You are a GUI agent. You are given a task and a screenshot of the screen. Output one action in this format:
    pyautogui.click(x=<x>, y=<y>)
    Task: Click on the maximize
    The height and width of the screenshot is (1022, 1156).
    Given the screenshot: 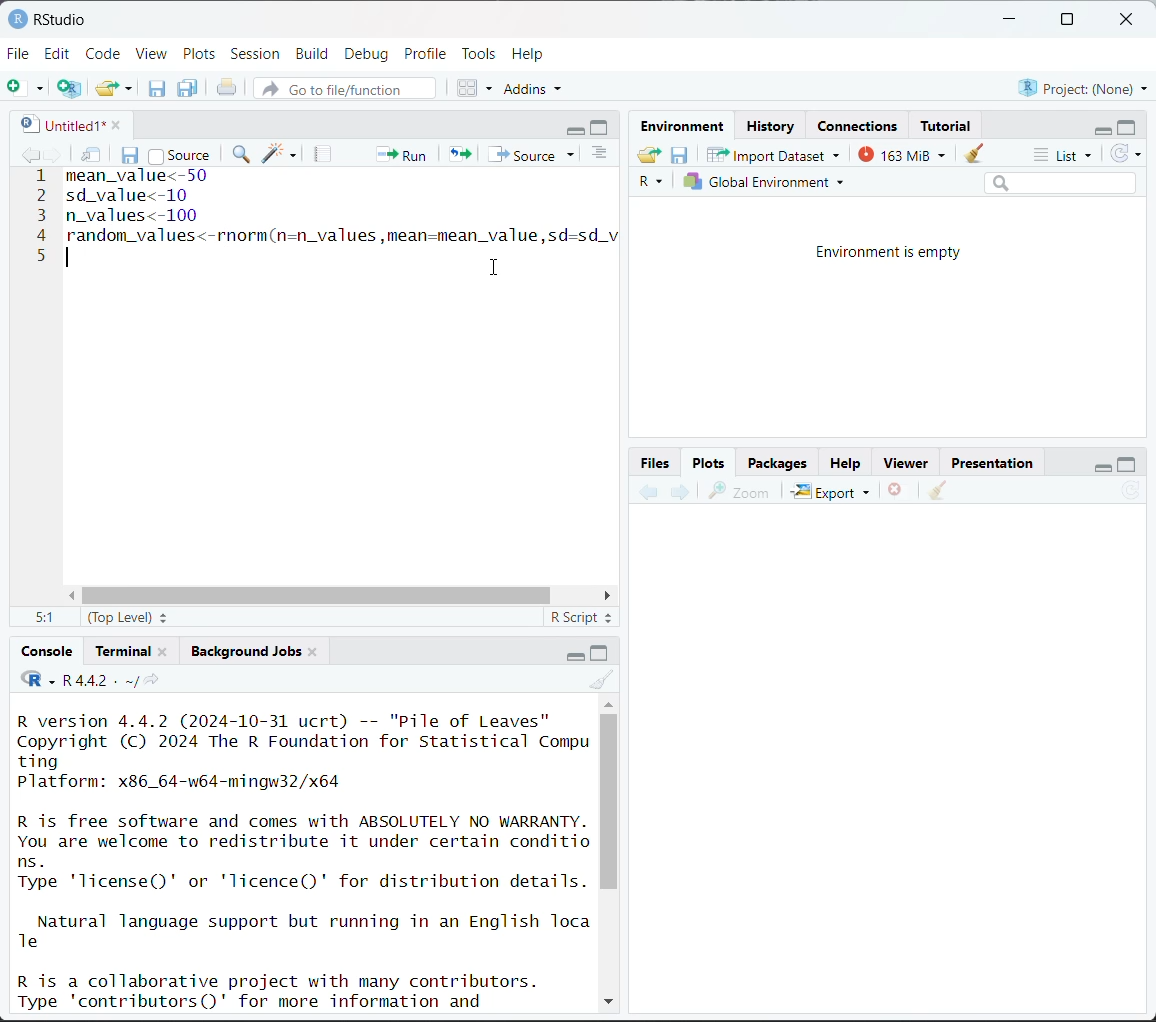 What is the action you would take?
    pyautogui.click(x=1066, y=20)
    